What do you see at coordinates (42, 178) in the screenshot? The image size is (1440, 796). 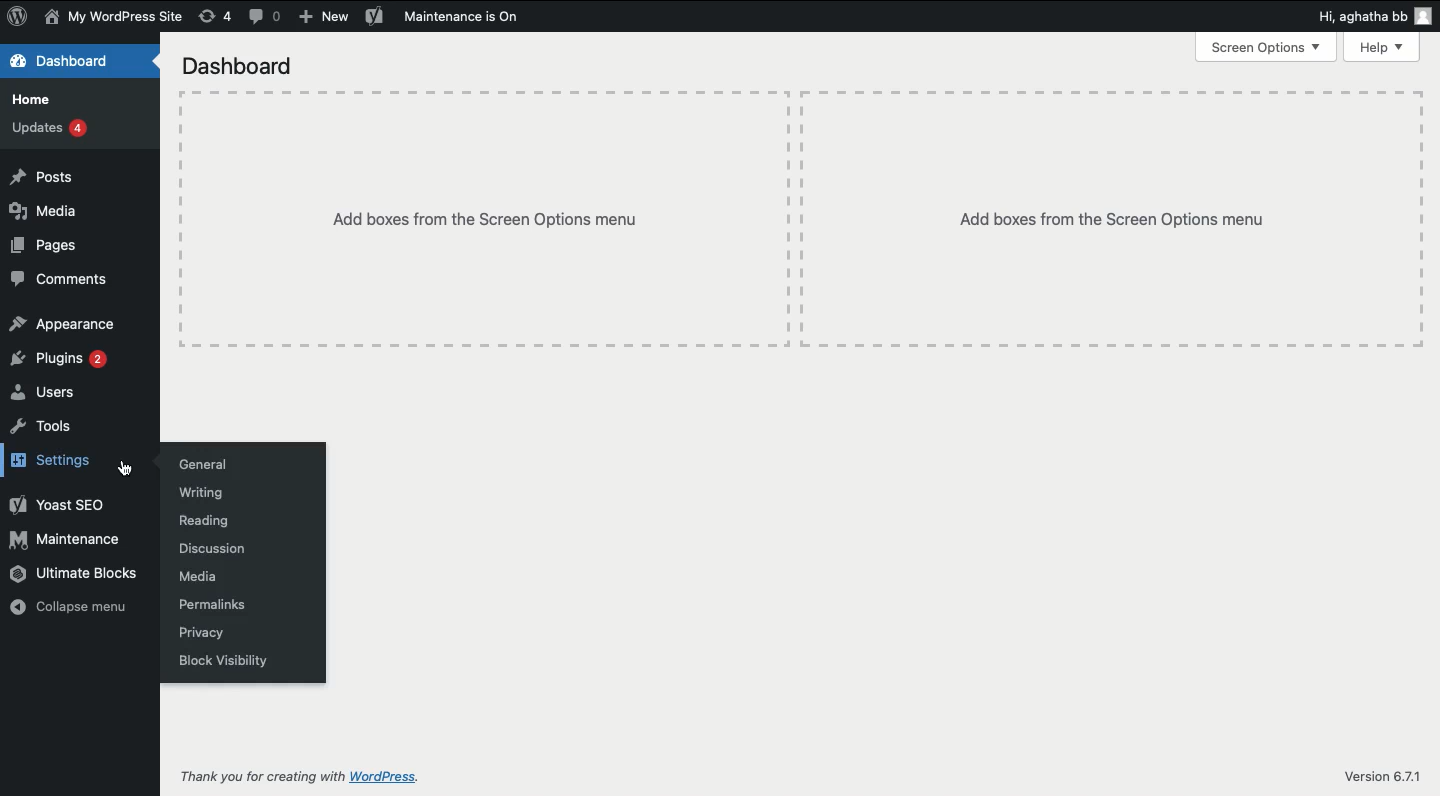 I see `posts` at bounding box center [42, 178].